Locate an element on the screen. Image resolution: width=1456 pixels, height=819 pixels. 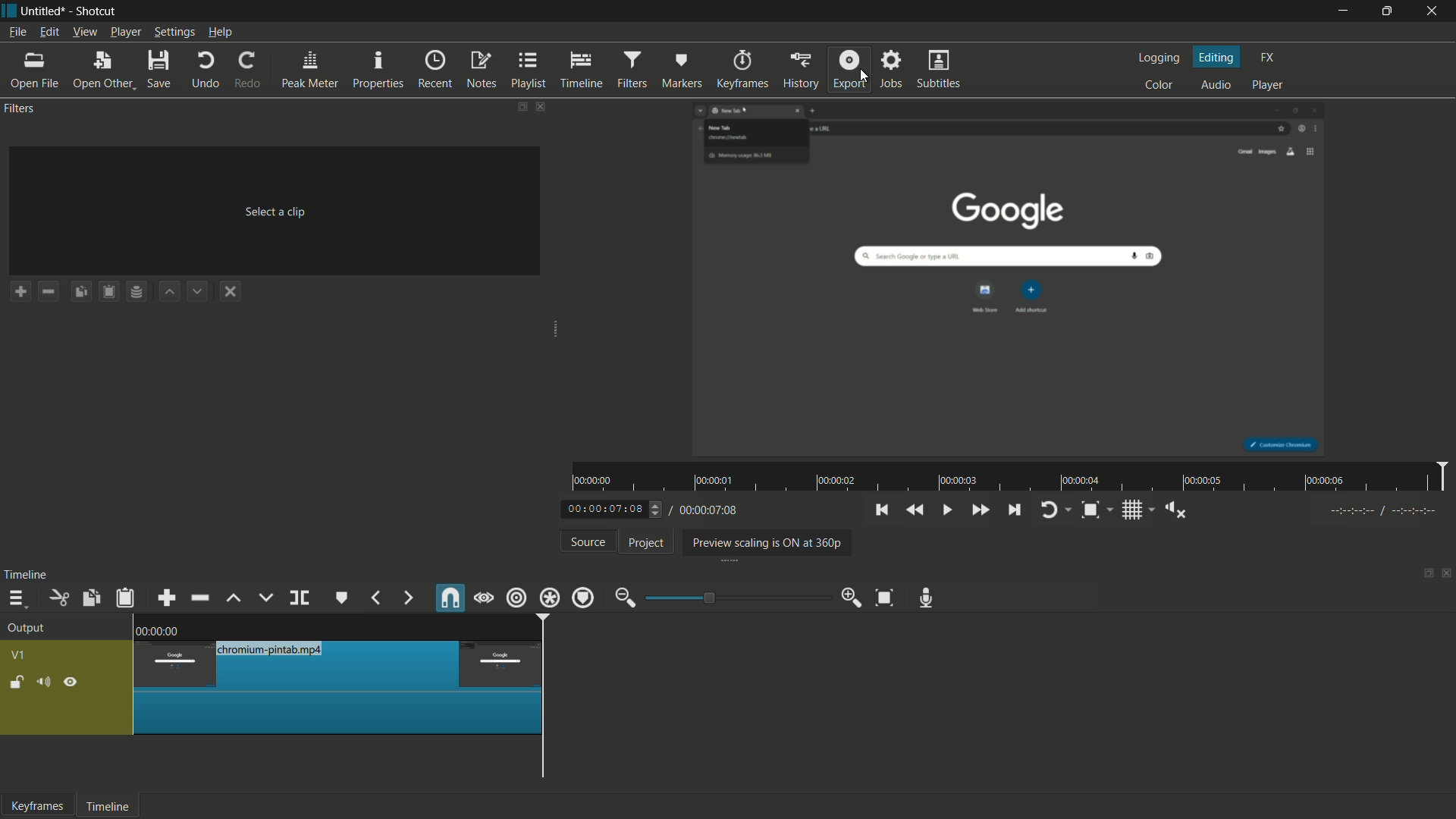
copy checked filters is located at coordinates (81, 291).